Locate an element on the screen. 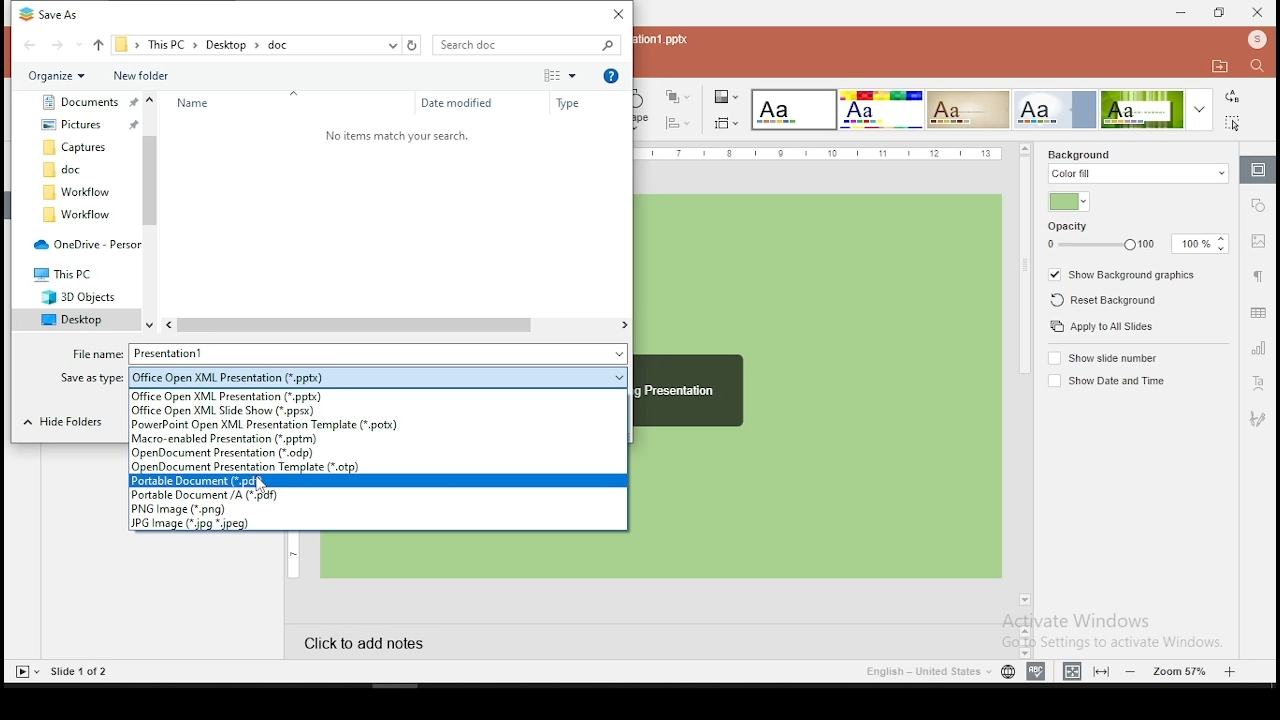 This screenshot has width=1280, height=720. doc is located at coordinates (76, 170).